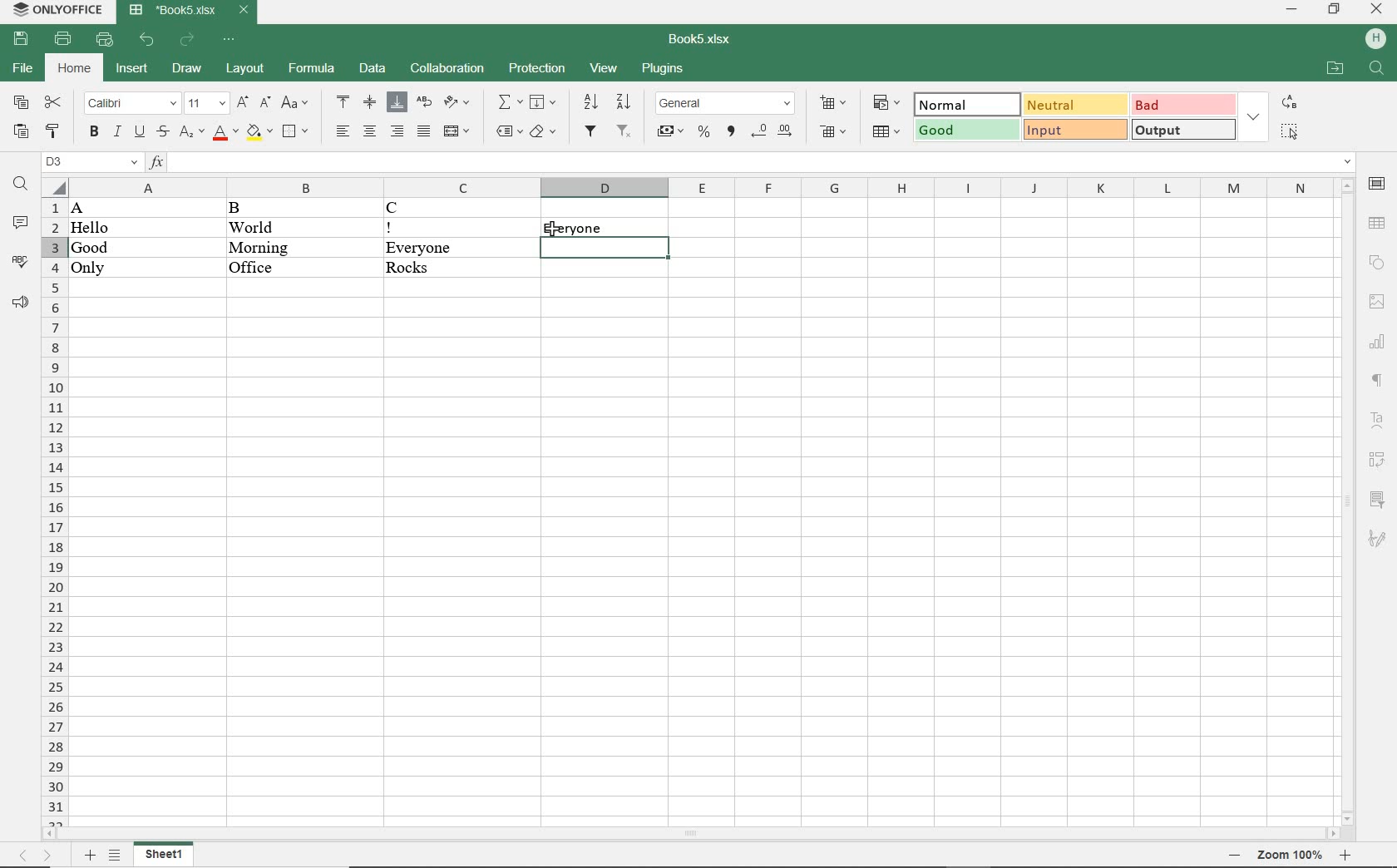 Image resolution: width=1397 pixels, height=868 pixels. I want to click on chart, so click(1379, 342).